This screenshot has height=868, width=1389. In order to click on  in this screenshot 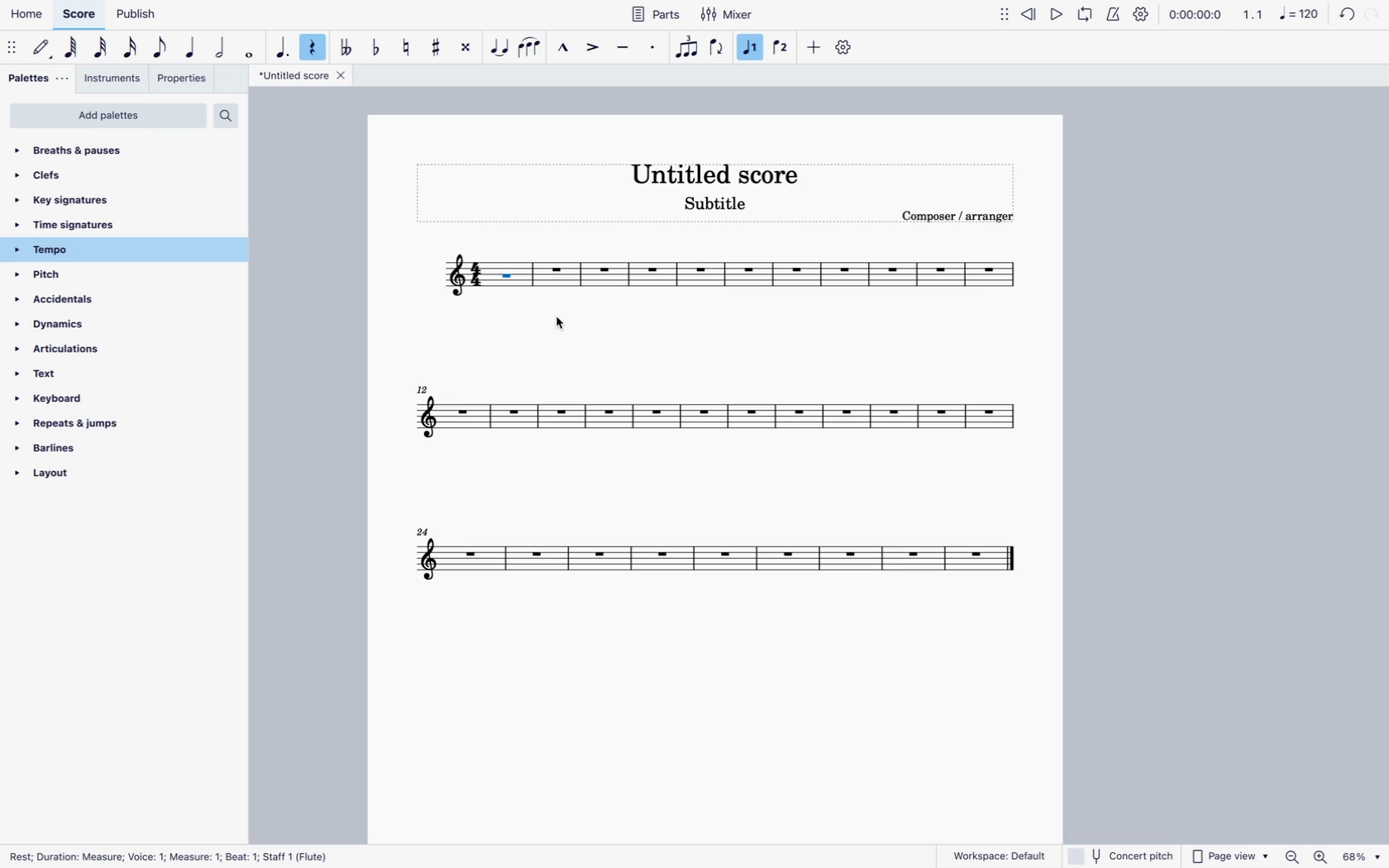, I will do `click(1324, 856)`.